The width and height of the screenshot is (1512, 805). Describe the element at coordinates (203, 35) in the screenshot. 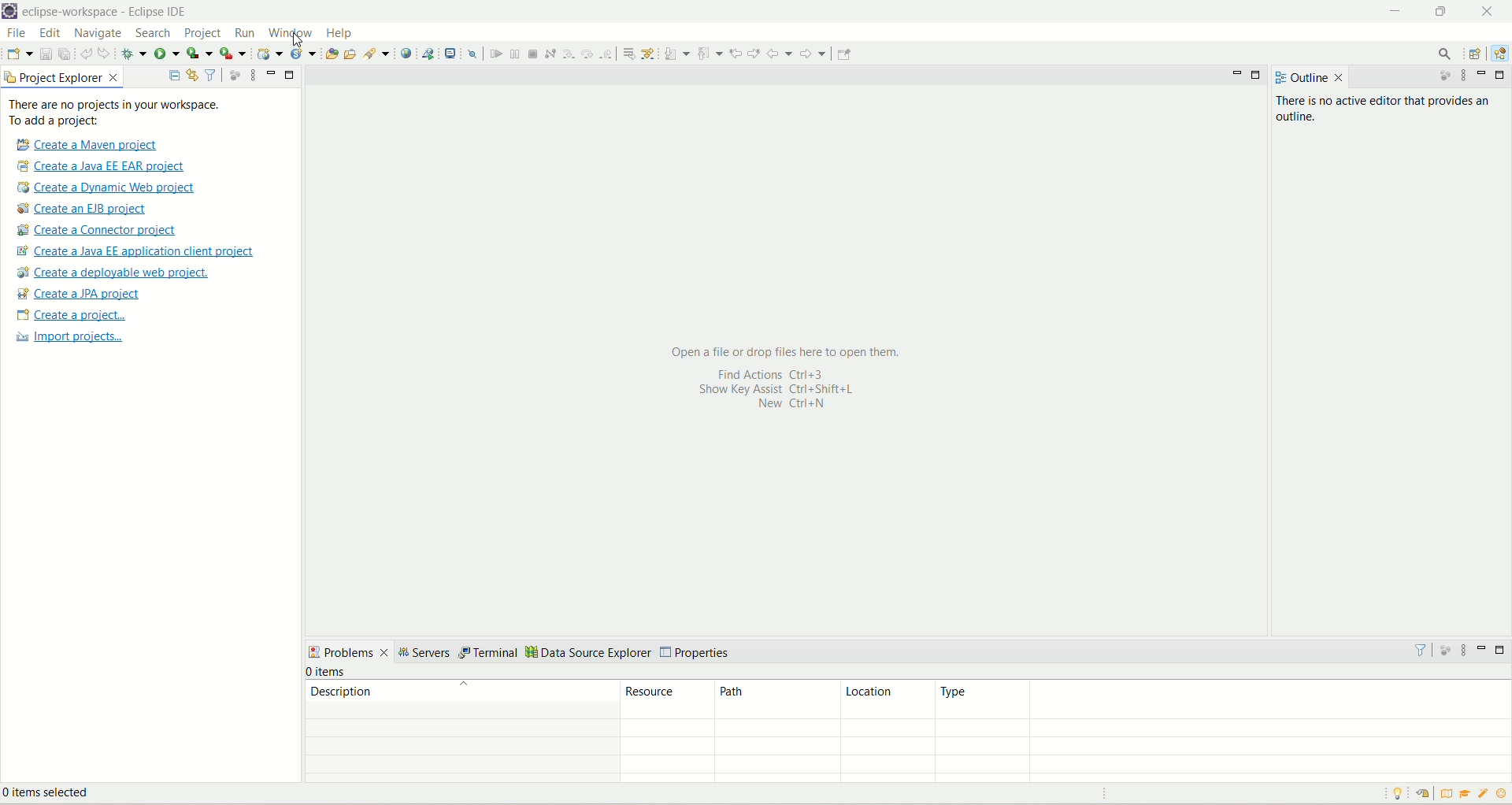

I see `project` at that location.